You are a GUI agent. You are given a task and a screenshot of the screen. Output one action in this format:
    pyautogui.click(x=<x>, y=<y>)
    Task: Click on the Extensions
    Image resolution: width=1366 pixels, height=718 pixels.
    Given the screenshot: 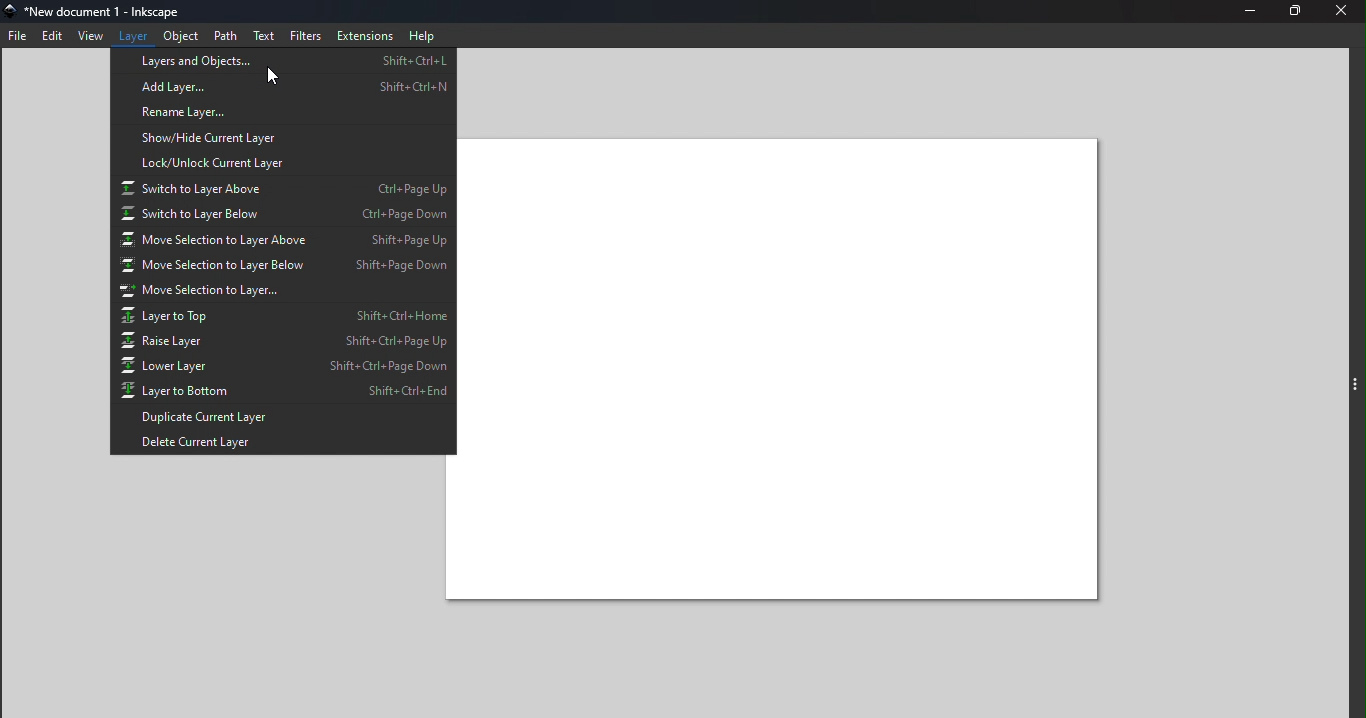 What is the action you would take?
    pyautogui.click(x=366, y=34)
    